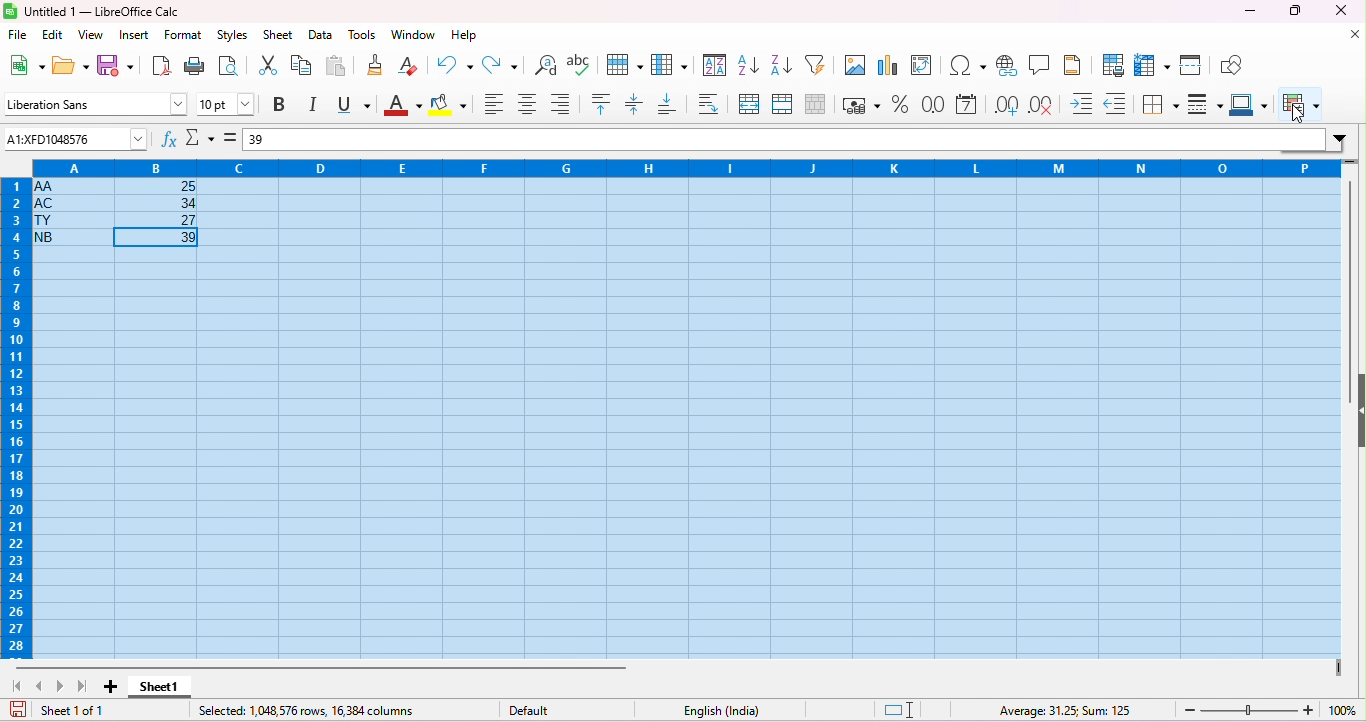  I want to click on row numbers, so click(18, 421).